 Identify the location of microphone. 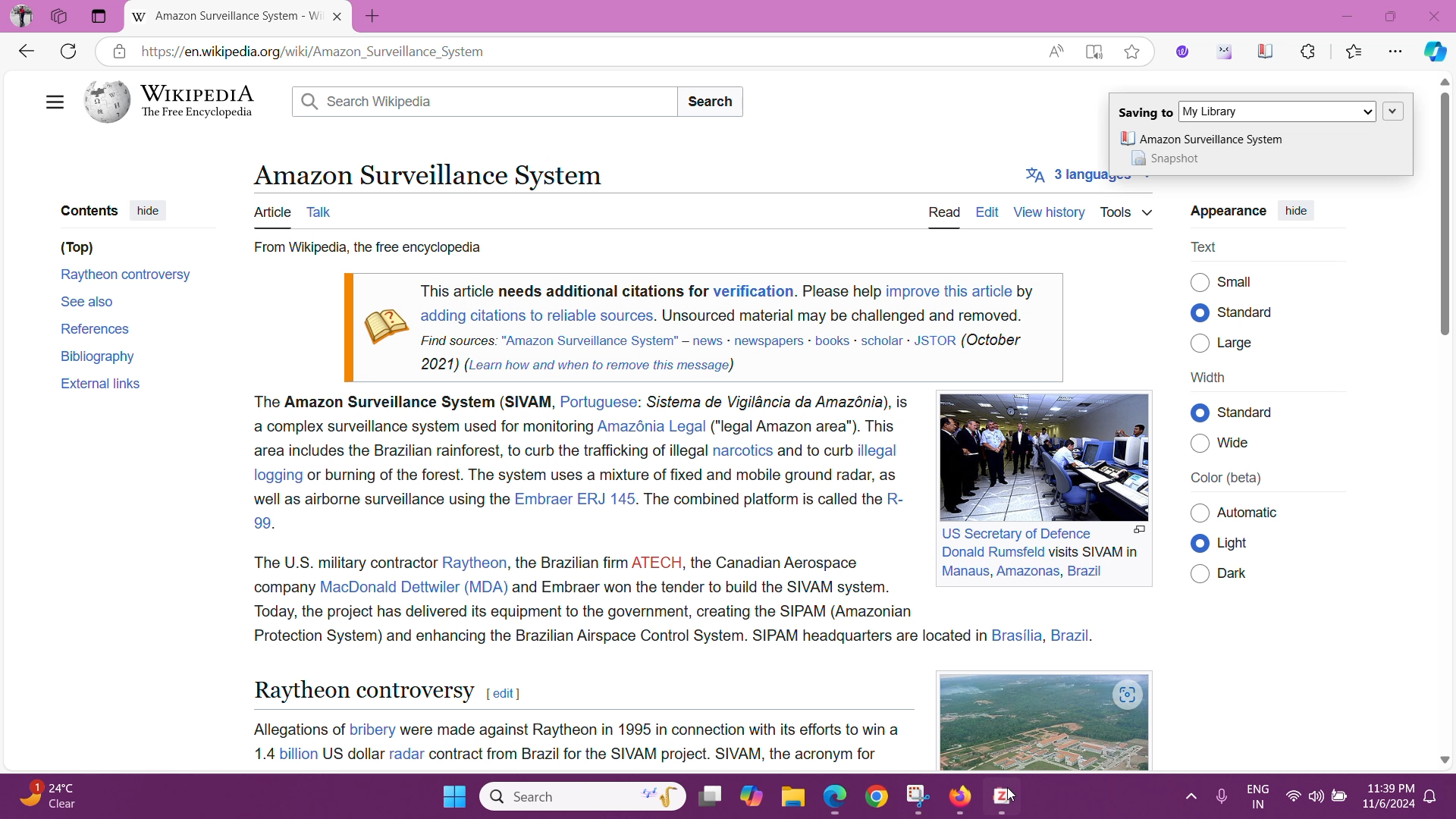
(1219, 798).